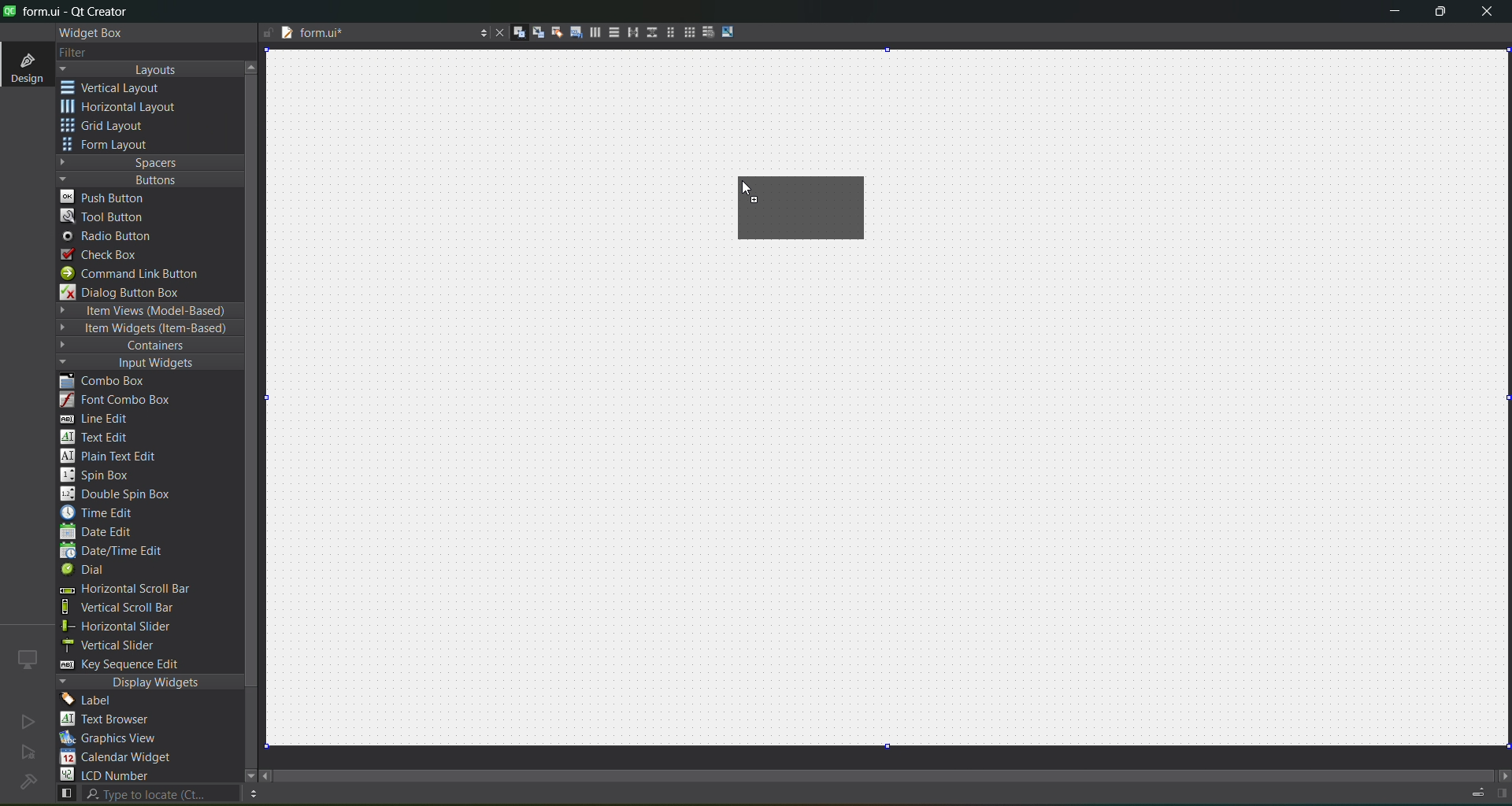  What do you see at coordinates (532, 31) in the screenshot?
I see `edit signals` at bounding box center [532, 31].